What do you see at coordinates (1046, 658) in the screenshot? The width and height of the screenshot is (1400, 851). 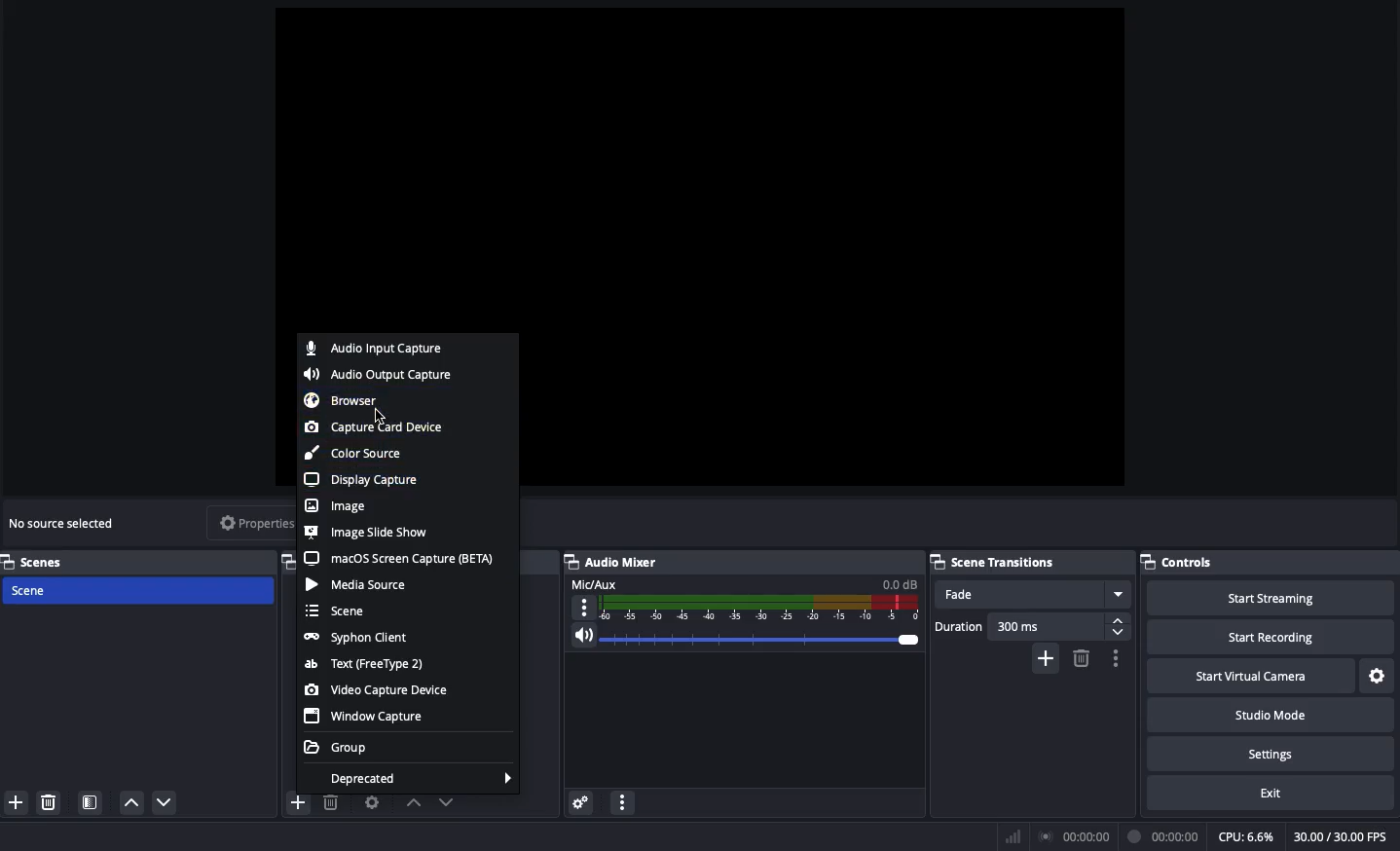 I see `Add` at bounding box center [1046, 658].